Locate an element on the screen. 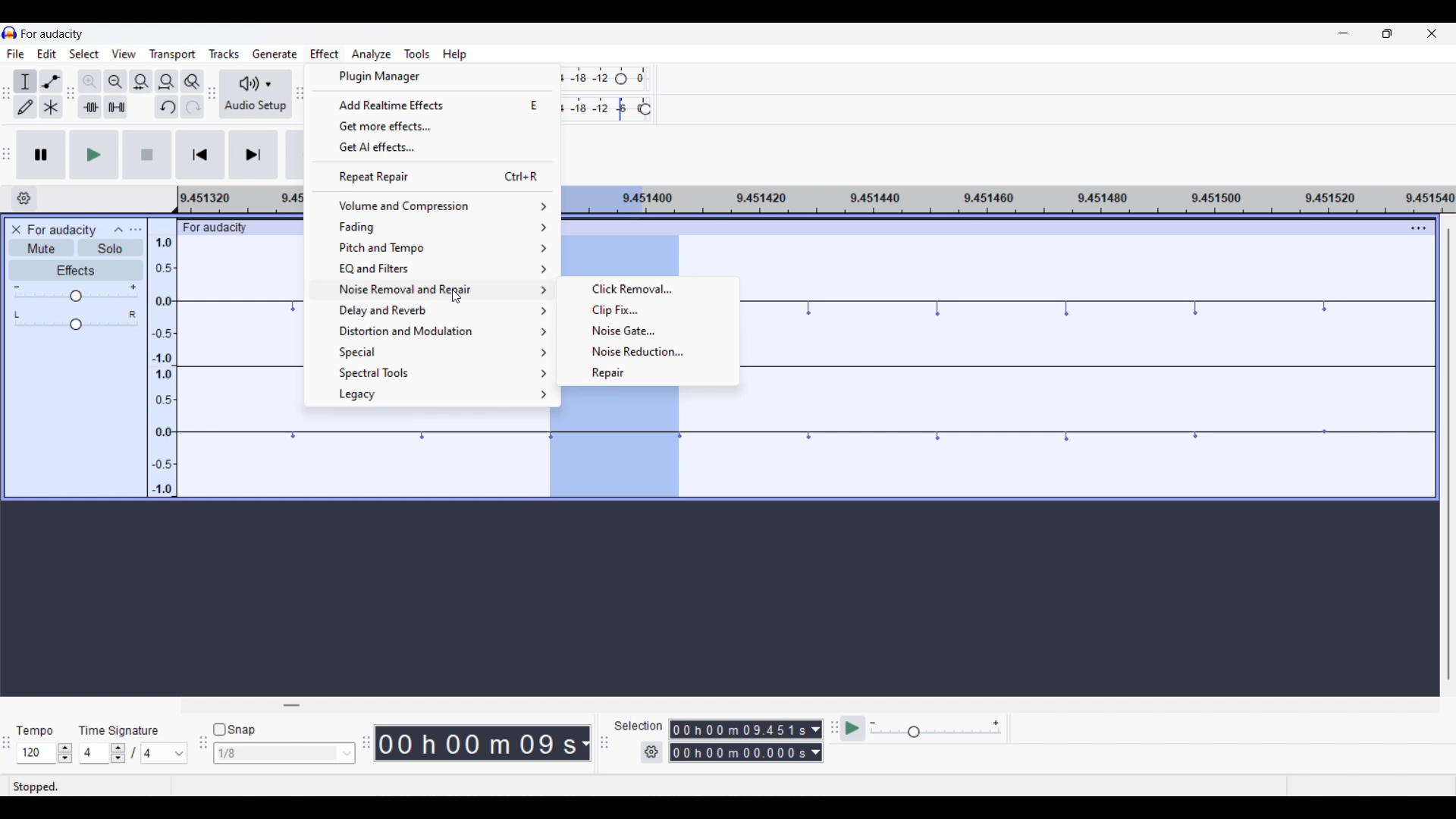 The image size is (1456, 819). Scale for measuring length of track is located at coordinates (239, 200).